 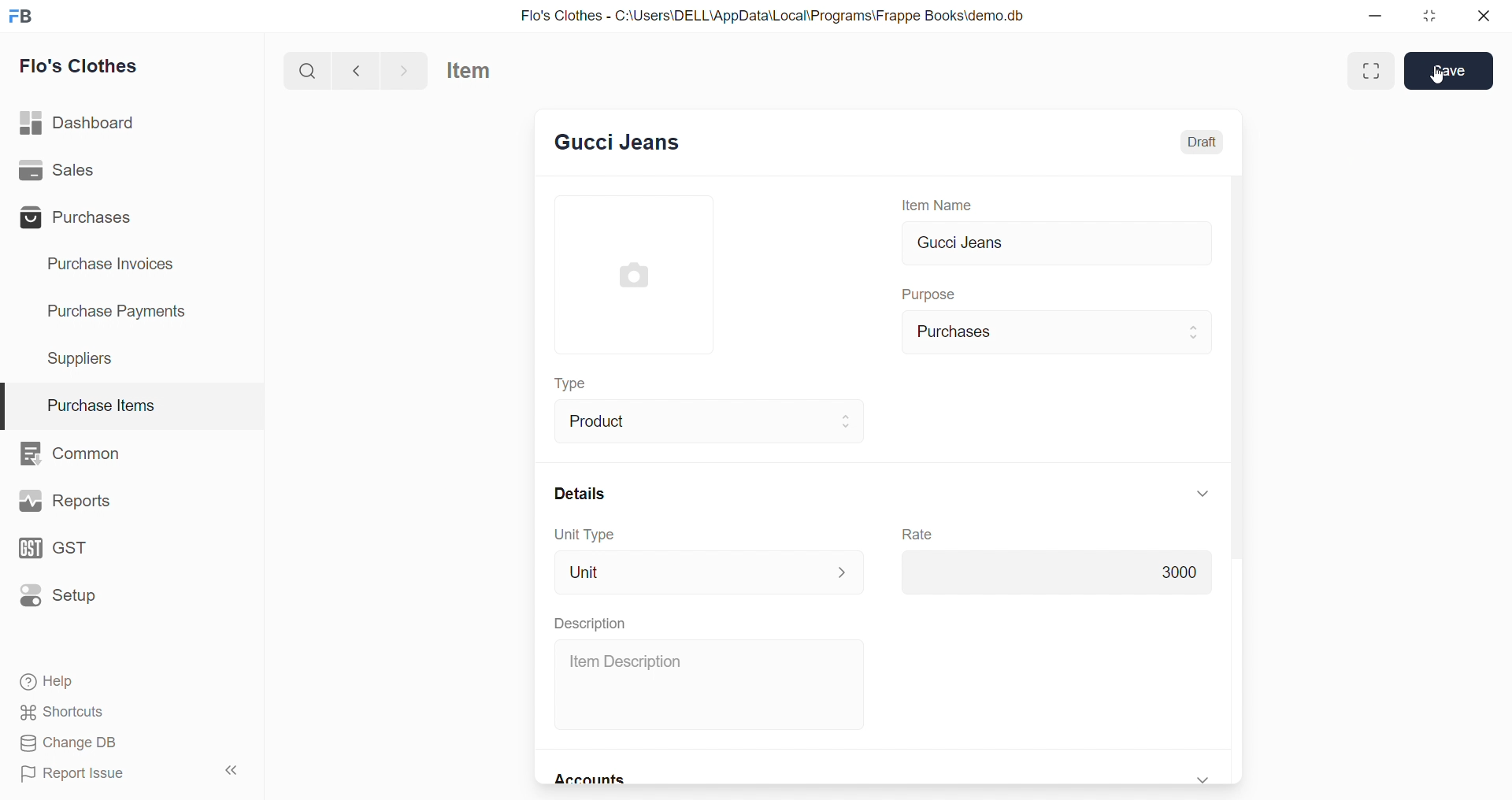 I want to click on scroll bar, so click(x=1243, y=480).